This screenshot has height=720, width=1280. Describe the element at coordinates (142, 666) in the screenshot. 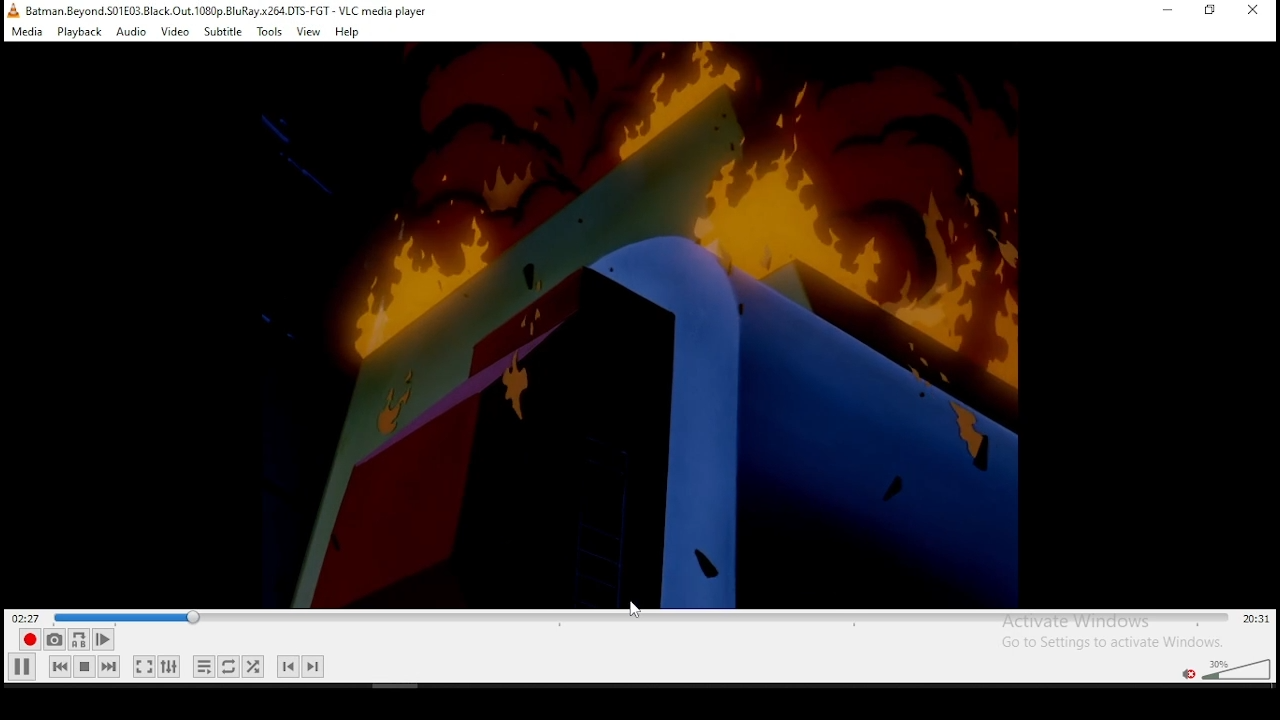

I see `toggle fullscreen` at that location.